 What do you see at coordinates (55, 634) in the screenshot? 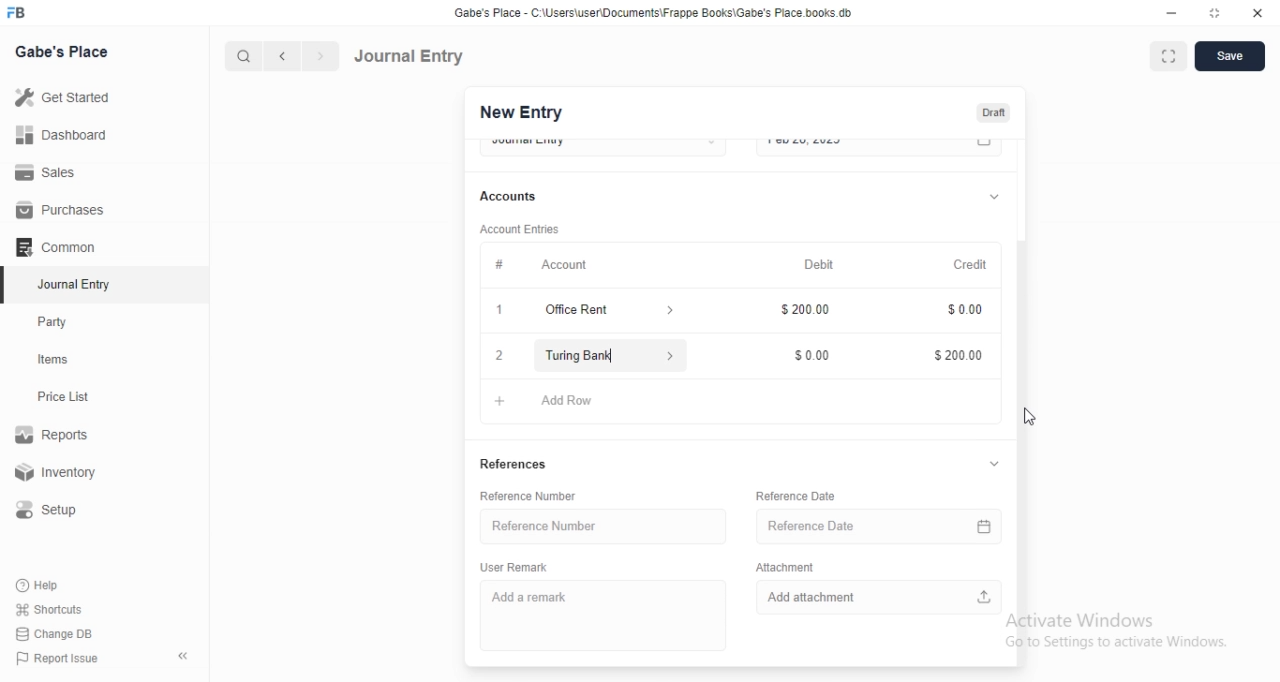
I see `‘Change DB` at bounding box center [55, 634].